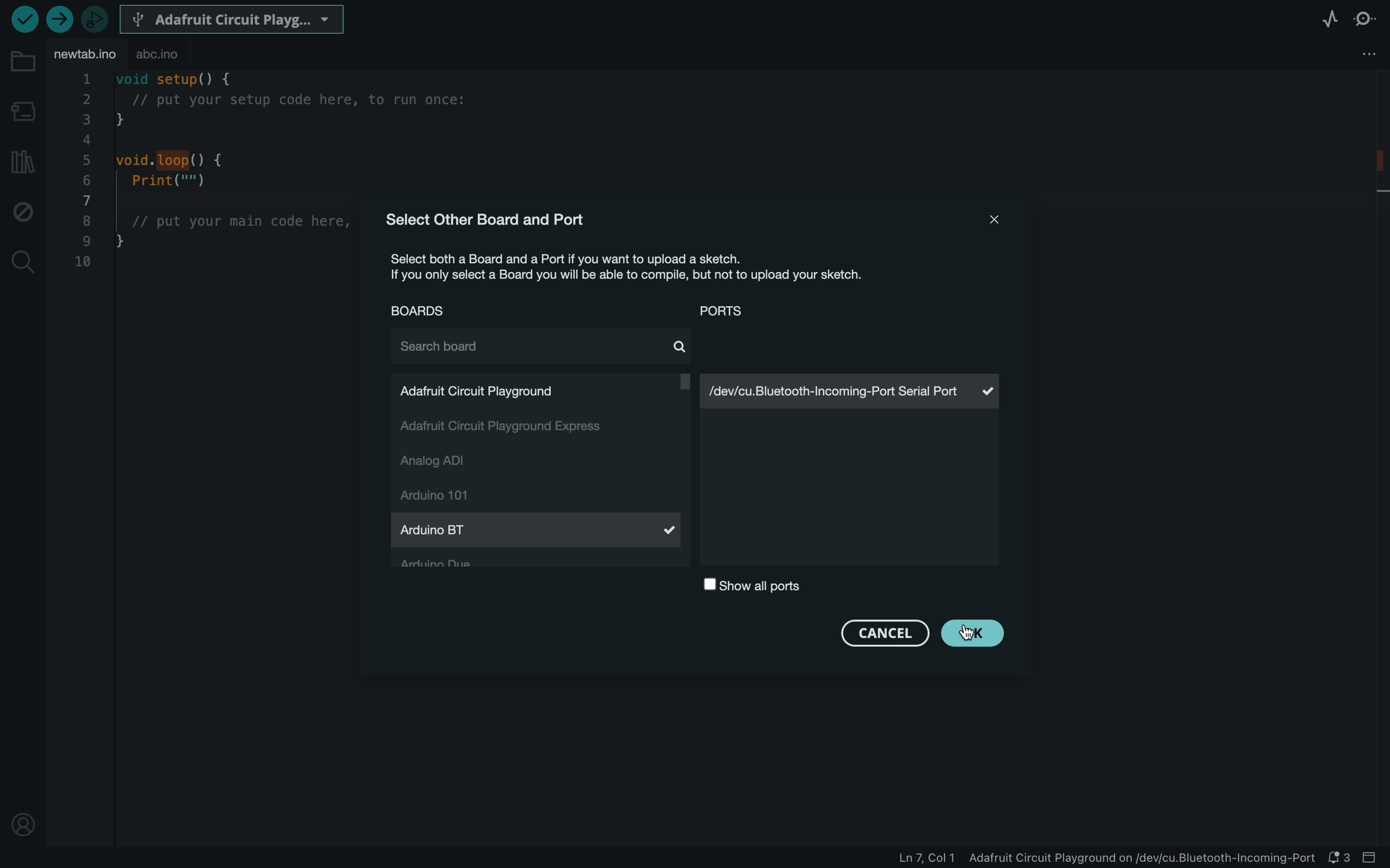  I want to click on search, so click(22, 261).